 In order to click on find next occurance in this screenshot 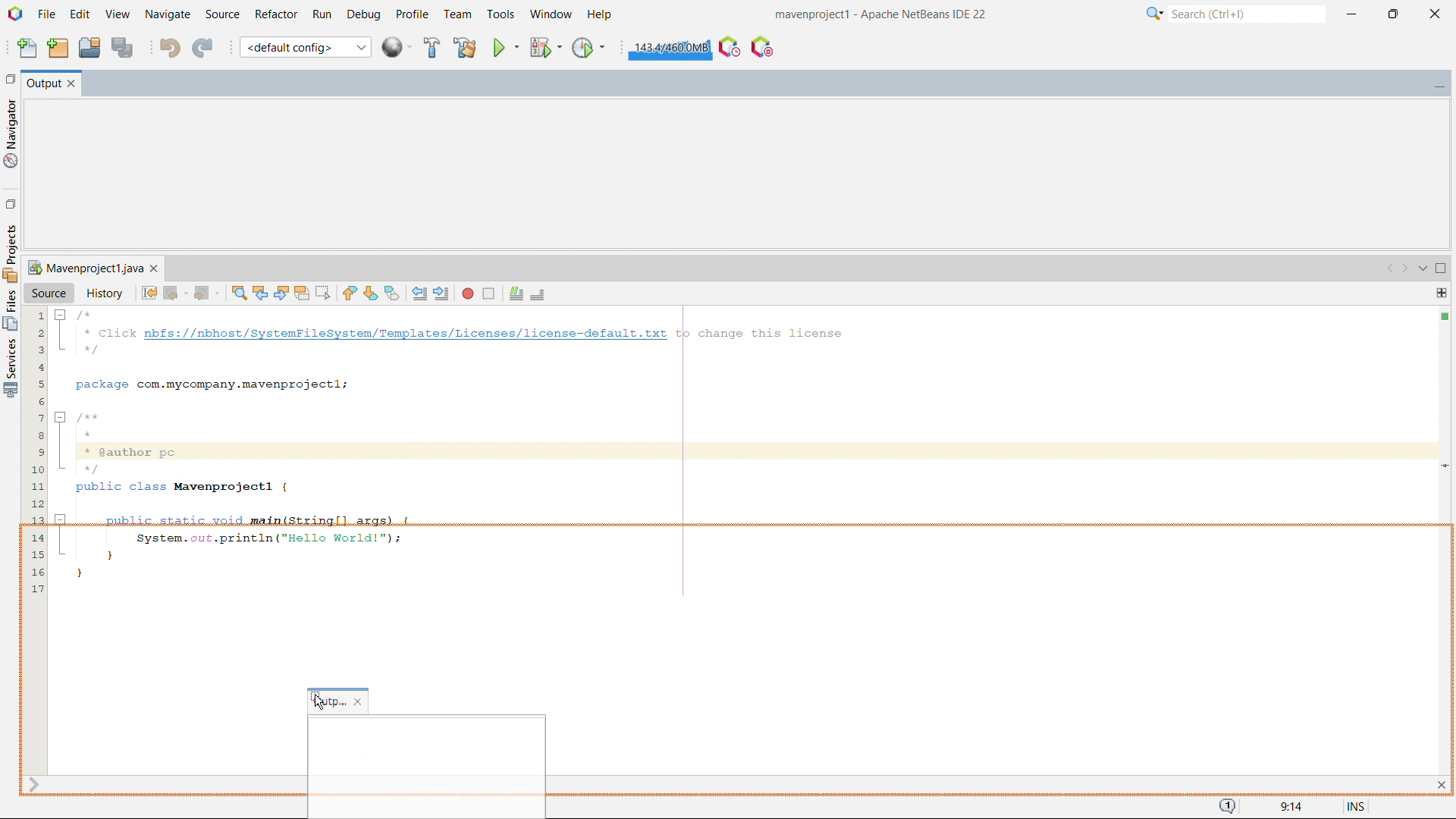, I will do `click(281, 292)`.